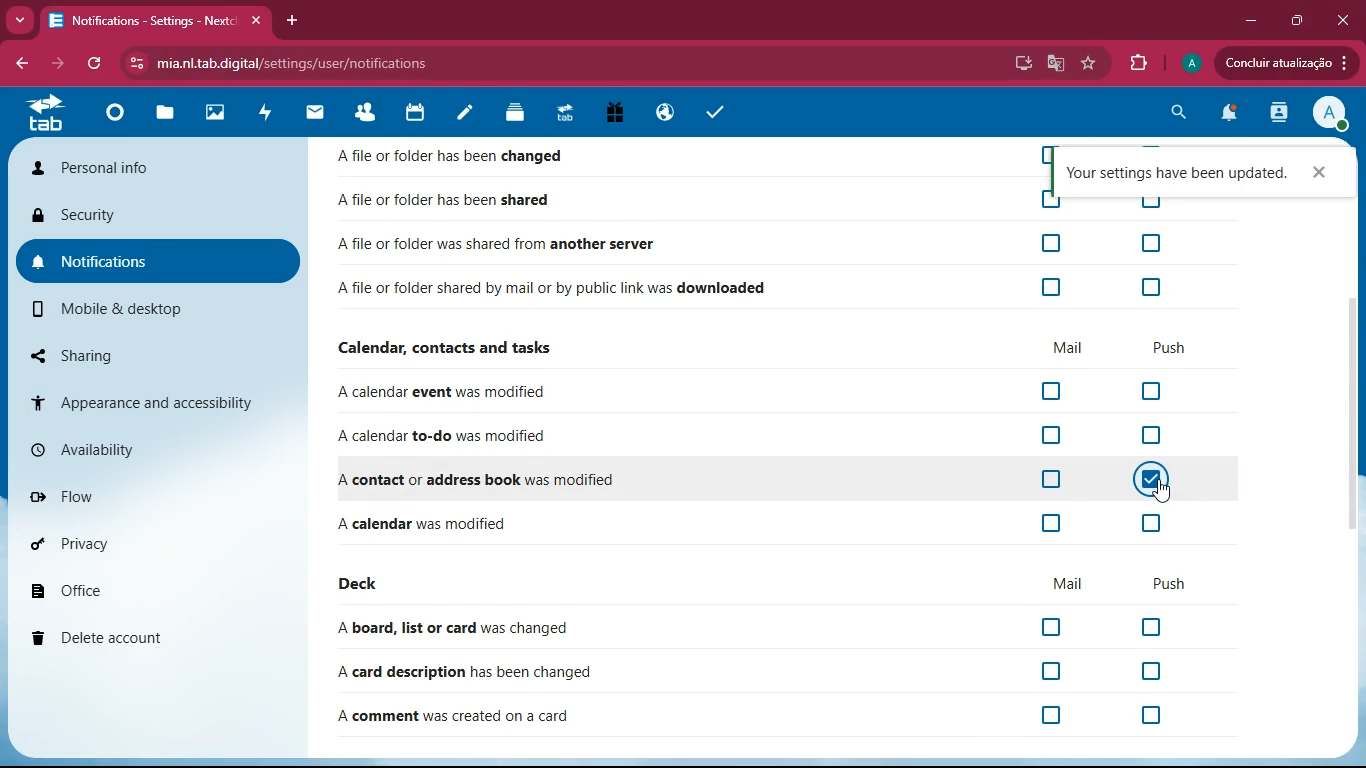 The width and height of the screenshot is (1366, 768). Describe the element at coordinates (149, 264) in the screenshot. I see `notifications` at that location.